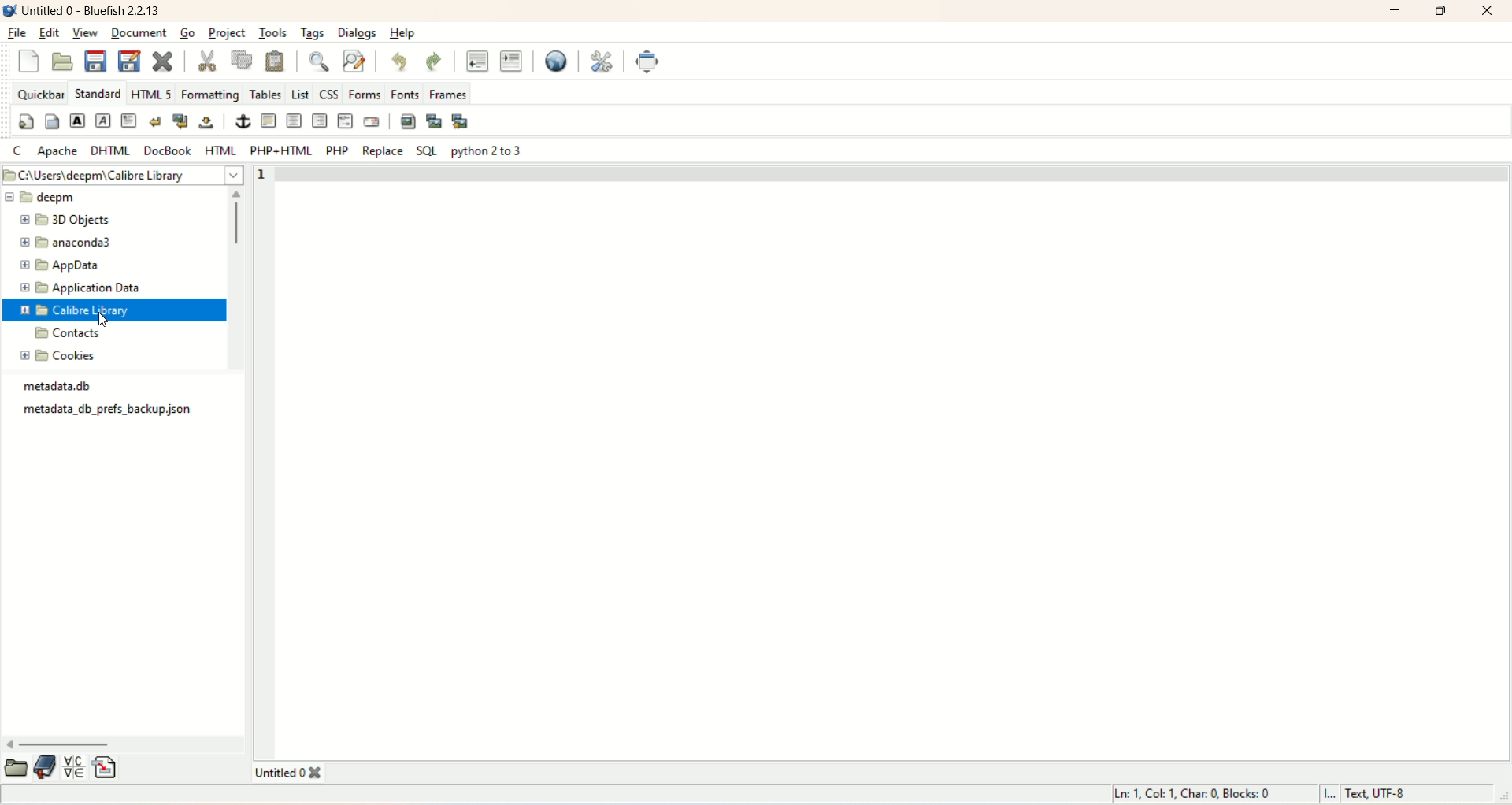 The width and height of the screenshot is (1512, 805). I want to click on save current file, so click(95, 61).